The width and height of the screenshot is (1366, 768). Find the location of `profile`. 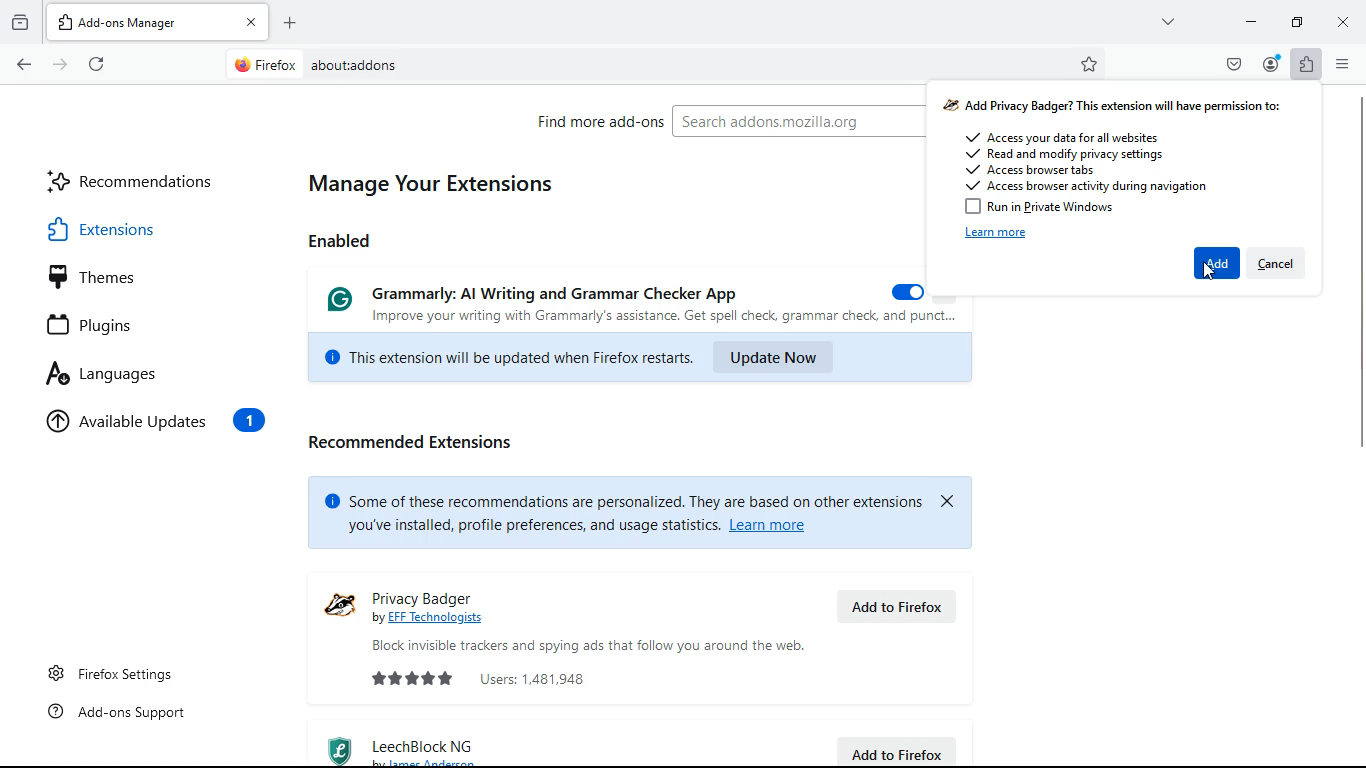

profile is located at coordinates (1269, 64).